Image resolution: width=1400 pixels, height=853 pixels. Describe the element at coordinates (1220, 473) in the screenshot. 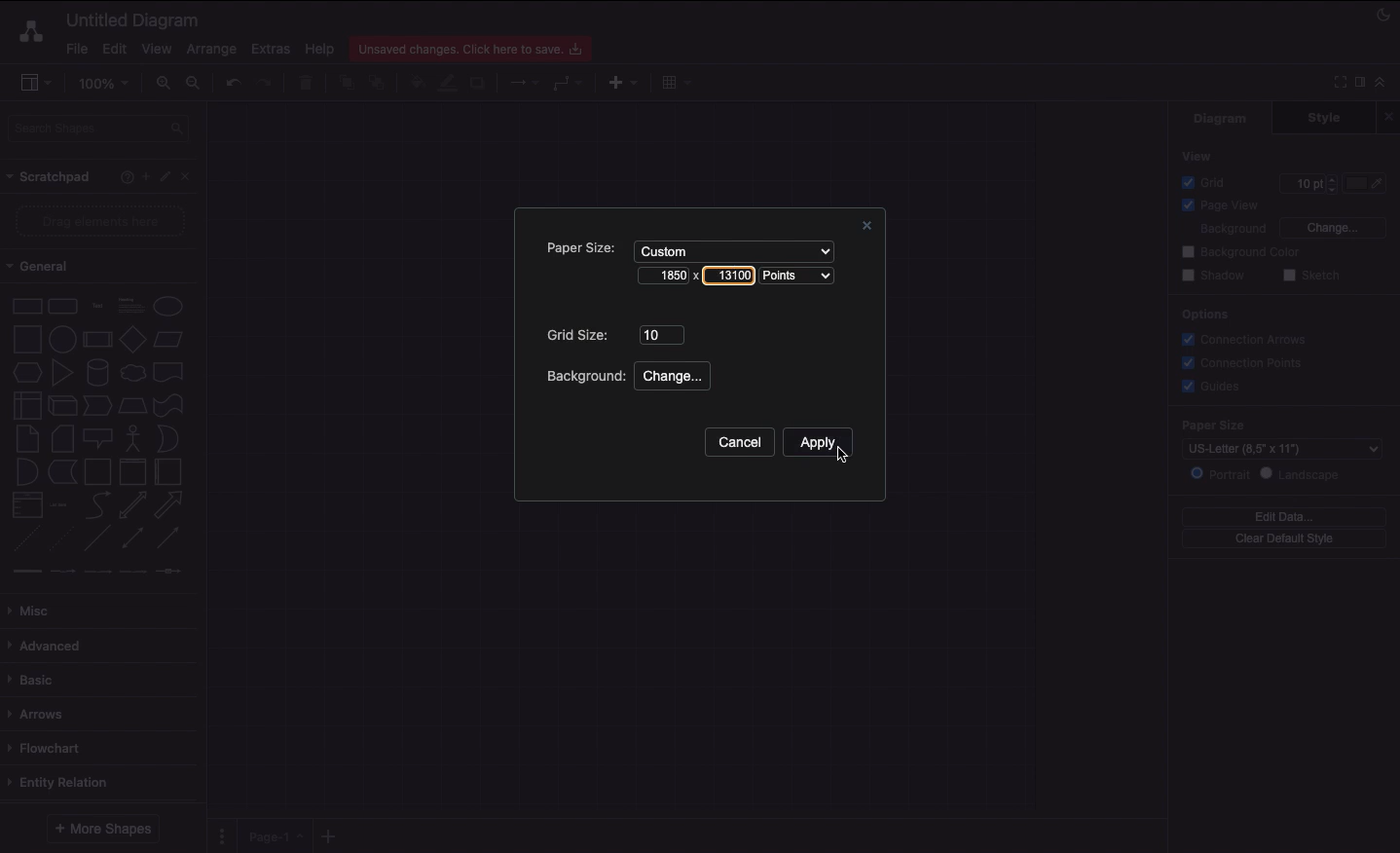

I see `Portrait ` at that location.